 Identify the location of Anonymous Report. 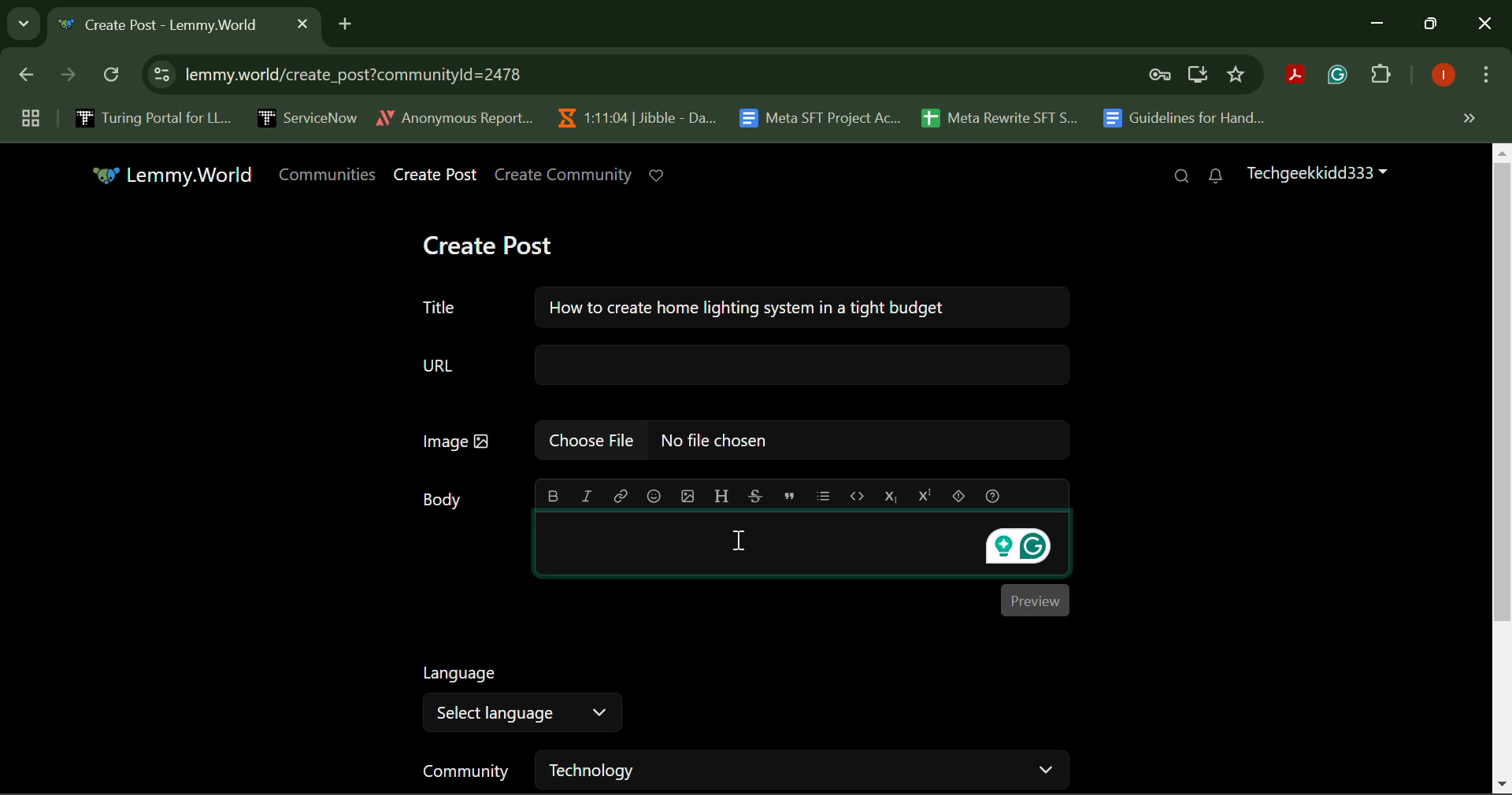
(454, 115).